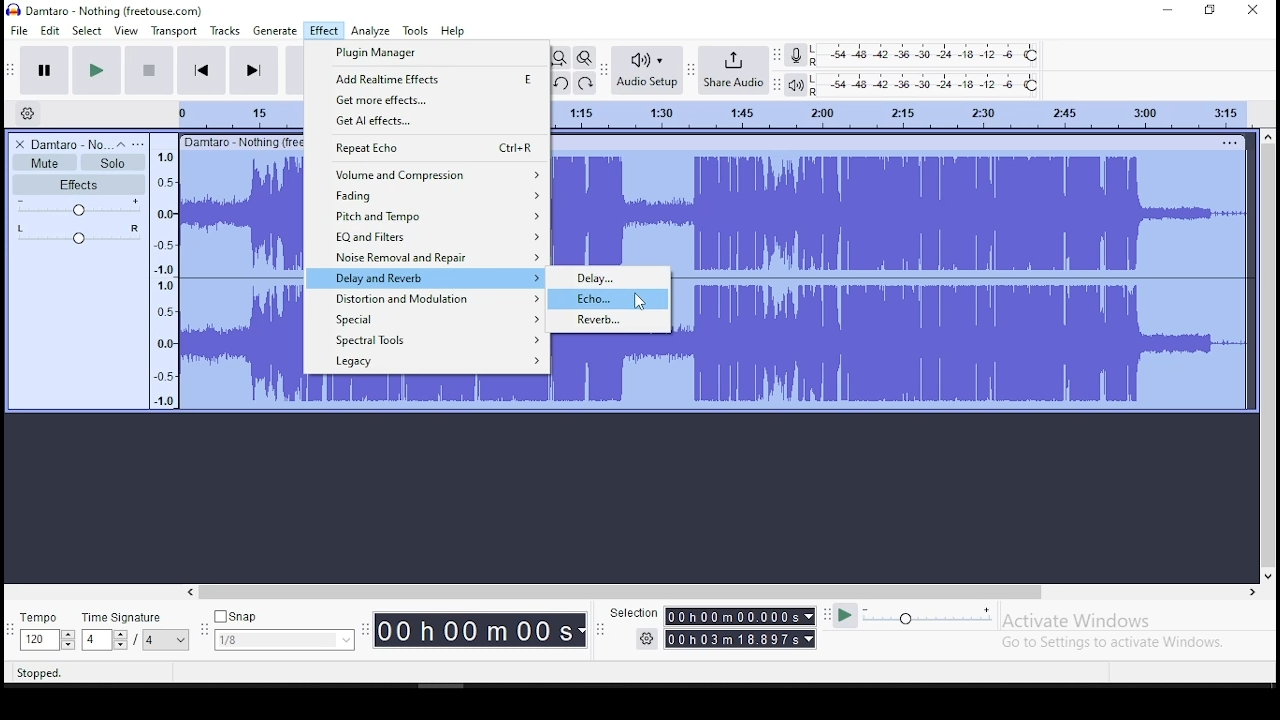  Describe the element at coordinates (809, 639) in the screenshot. I see `Drop down` at that location.